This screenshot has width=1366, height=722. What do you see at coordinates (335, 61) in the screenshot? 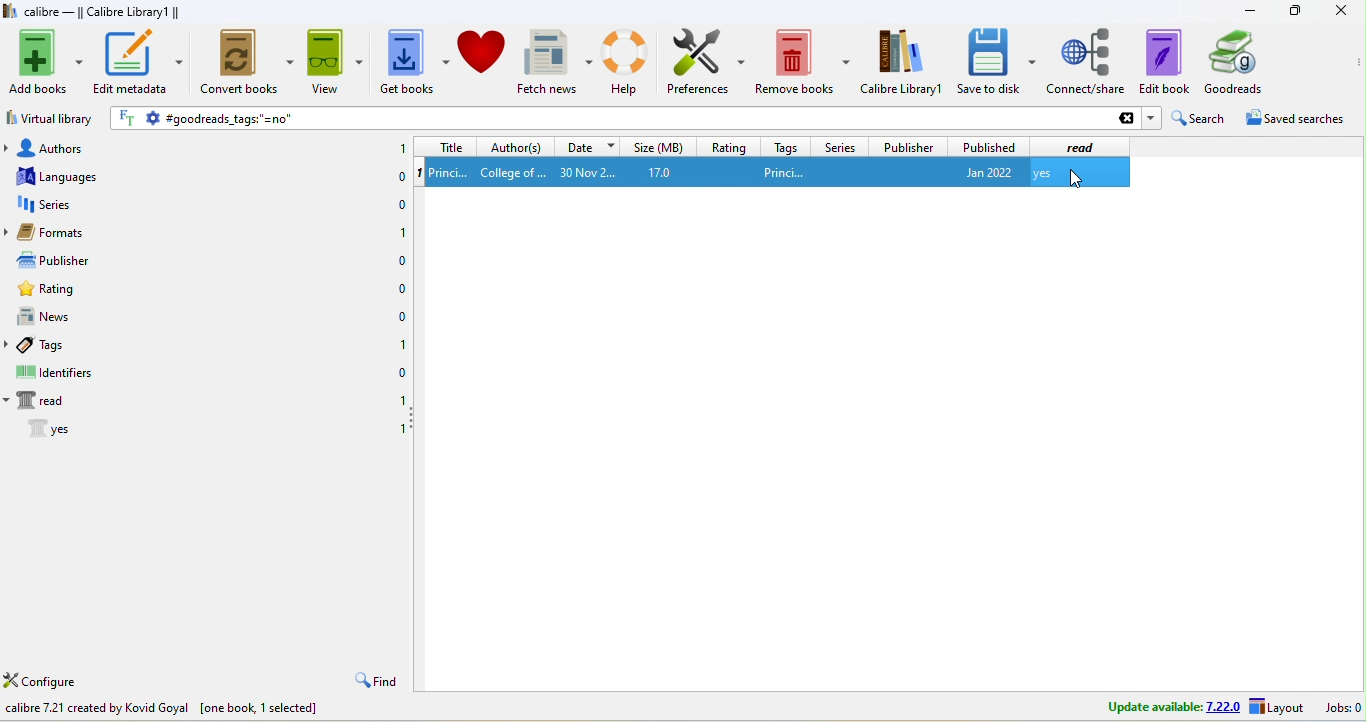
I see `view` at bounding box center [335, 61].